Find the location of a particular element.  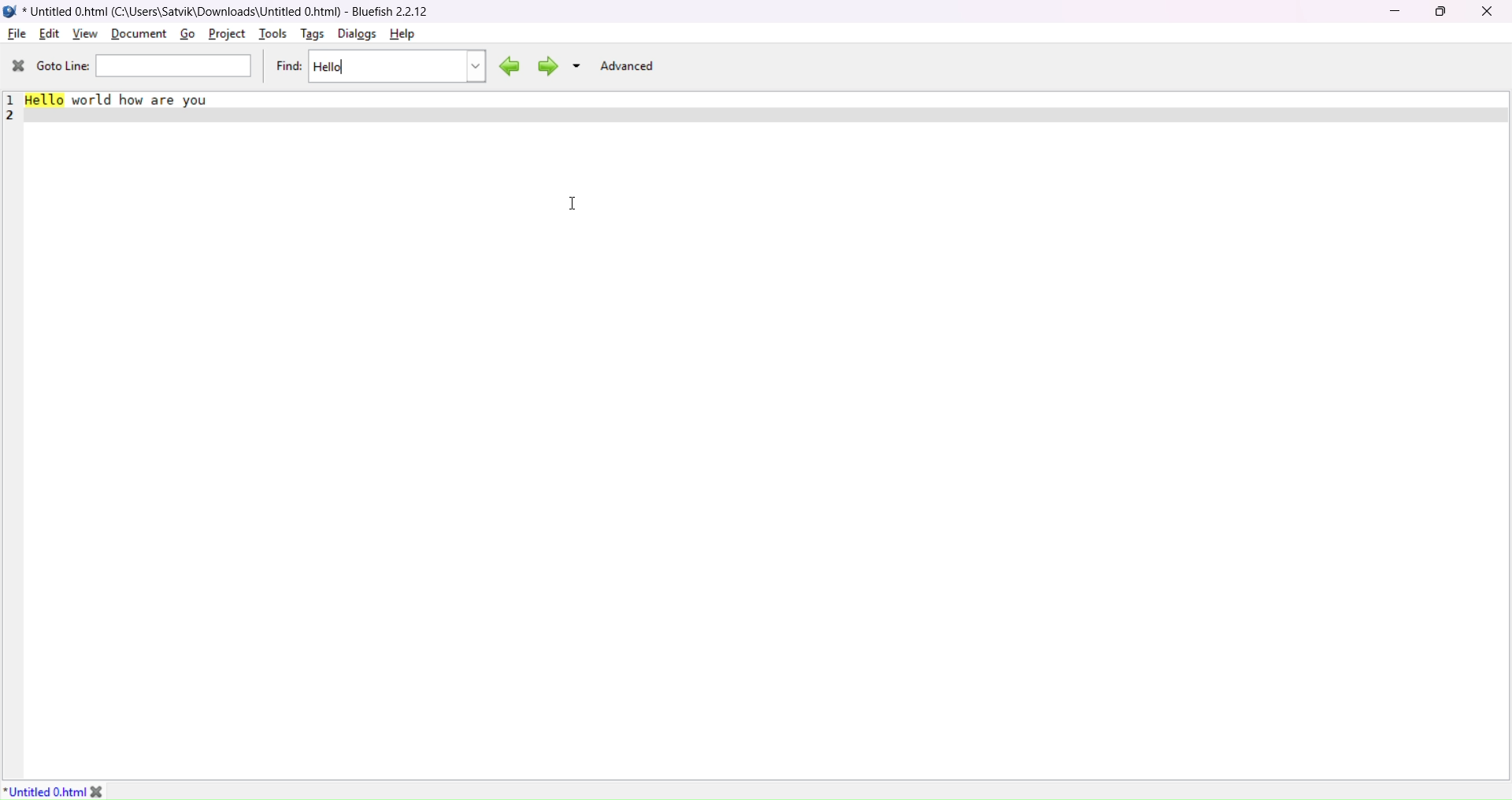

edit is located at coordinates (49, 34).